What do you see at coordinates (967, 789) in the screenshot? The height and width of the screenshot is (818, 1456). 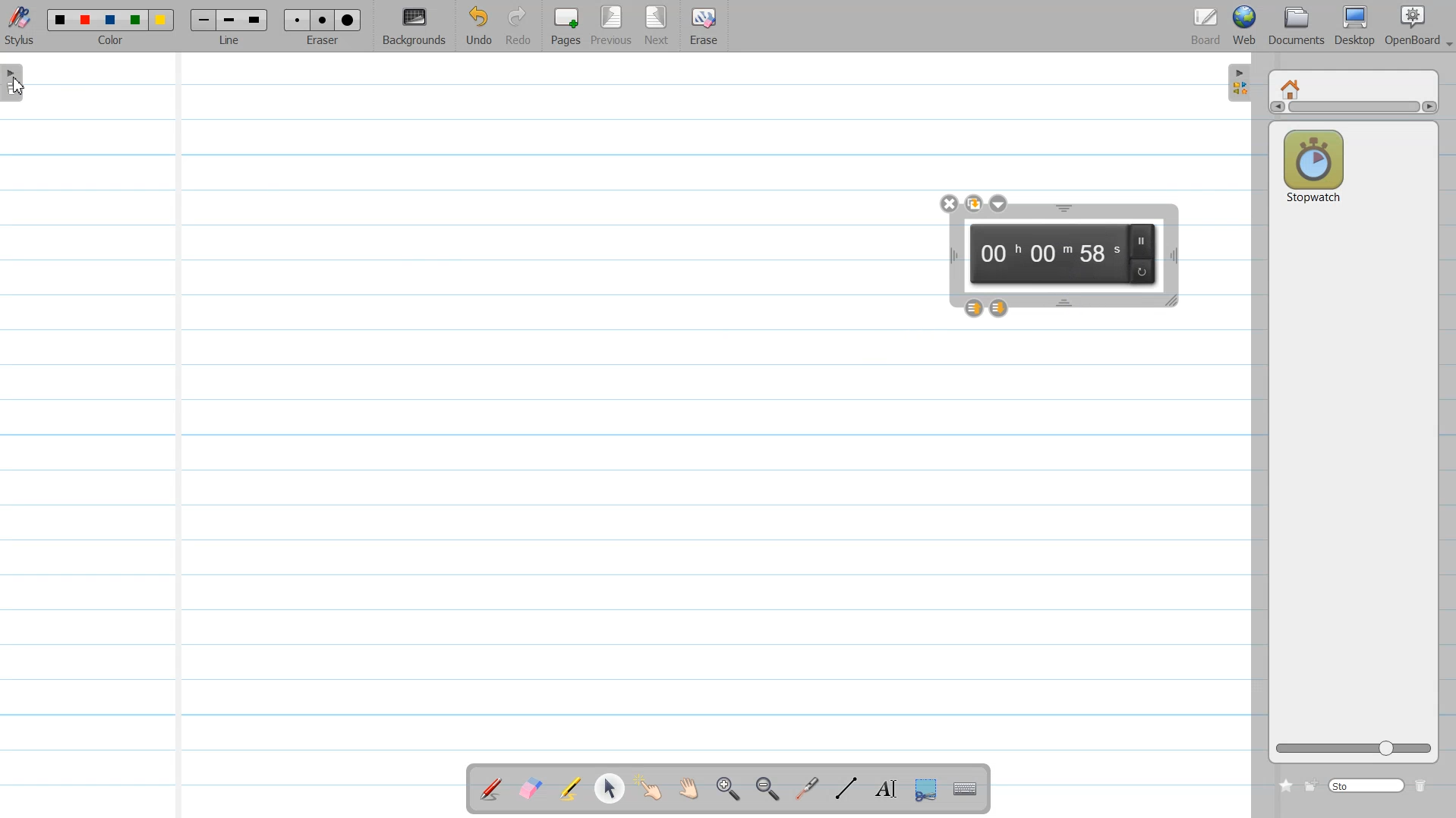 I see `Display Virtual Keyboard ` at bounding box center [967, 789].